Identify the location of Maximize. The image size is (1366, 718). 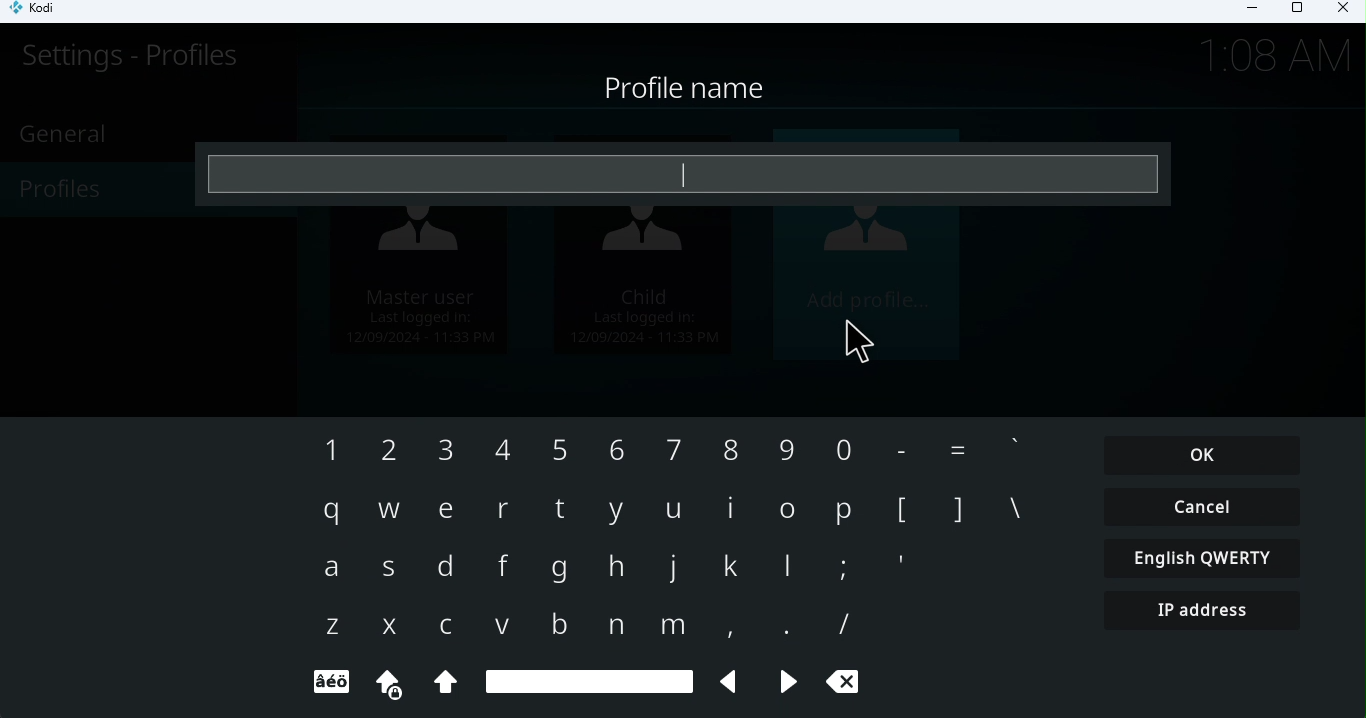
(1296, 12).